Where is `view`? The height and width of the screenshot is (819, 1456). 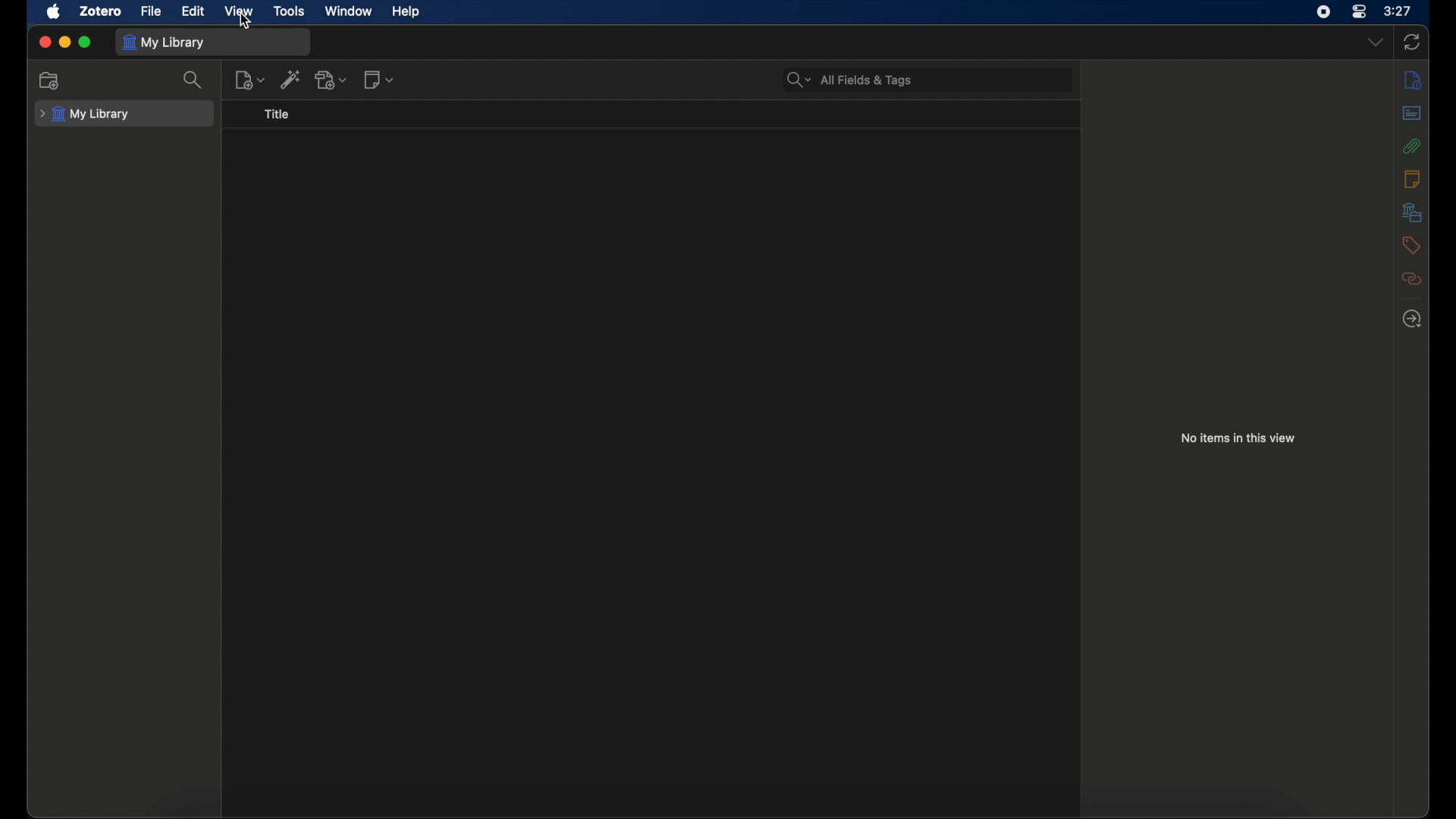 view is located at coordinates (240, 11).